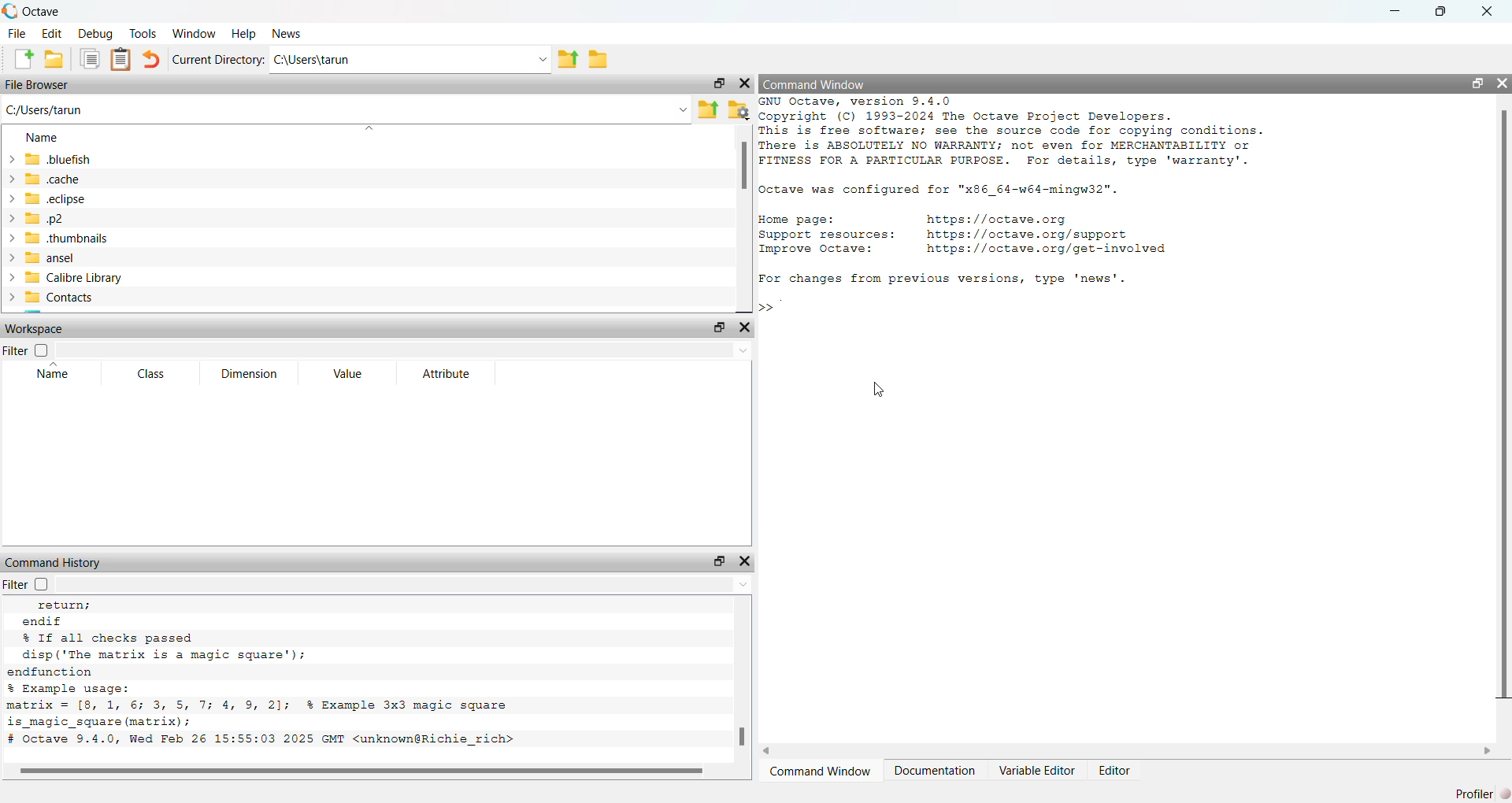  Describe the element at coordinates (43, 138) in the screenshot. I see `Name` at that location.